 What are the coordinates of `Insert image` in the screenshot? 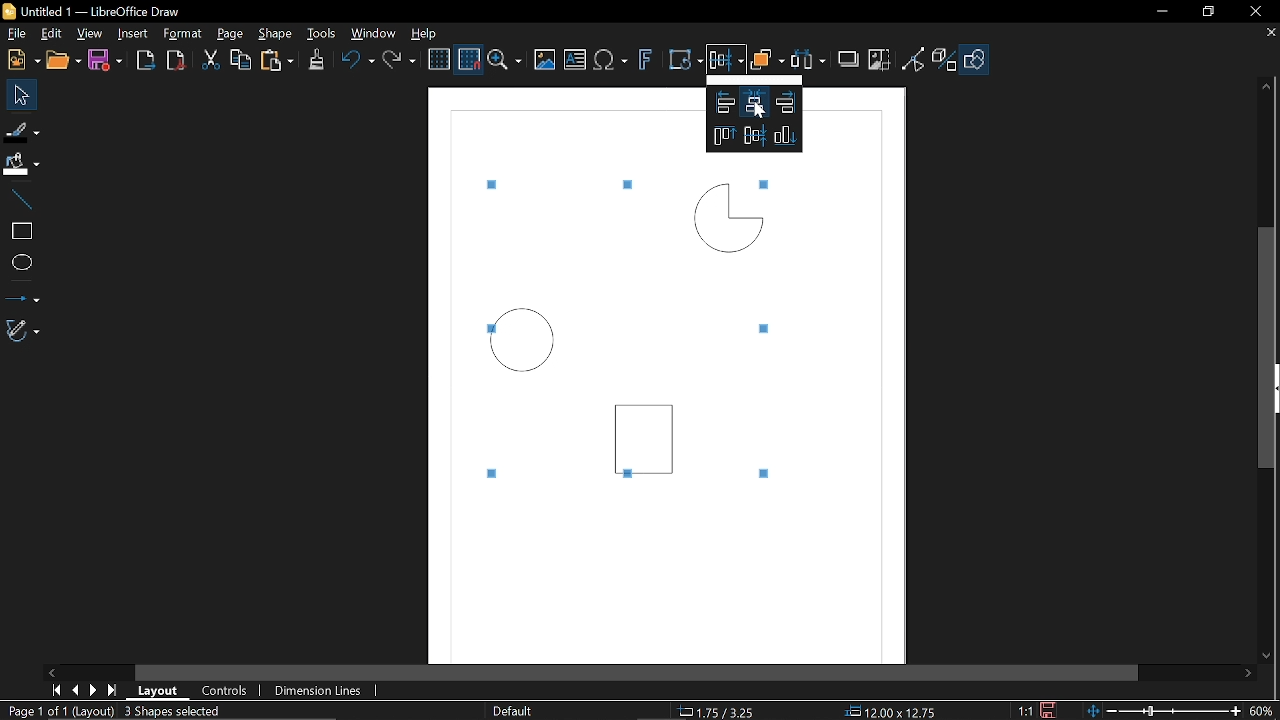 It's located at (545, 60).